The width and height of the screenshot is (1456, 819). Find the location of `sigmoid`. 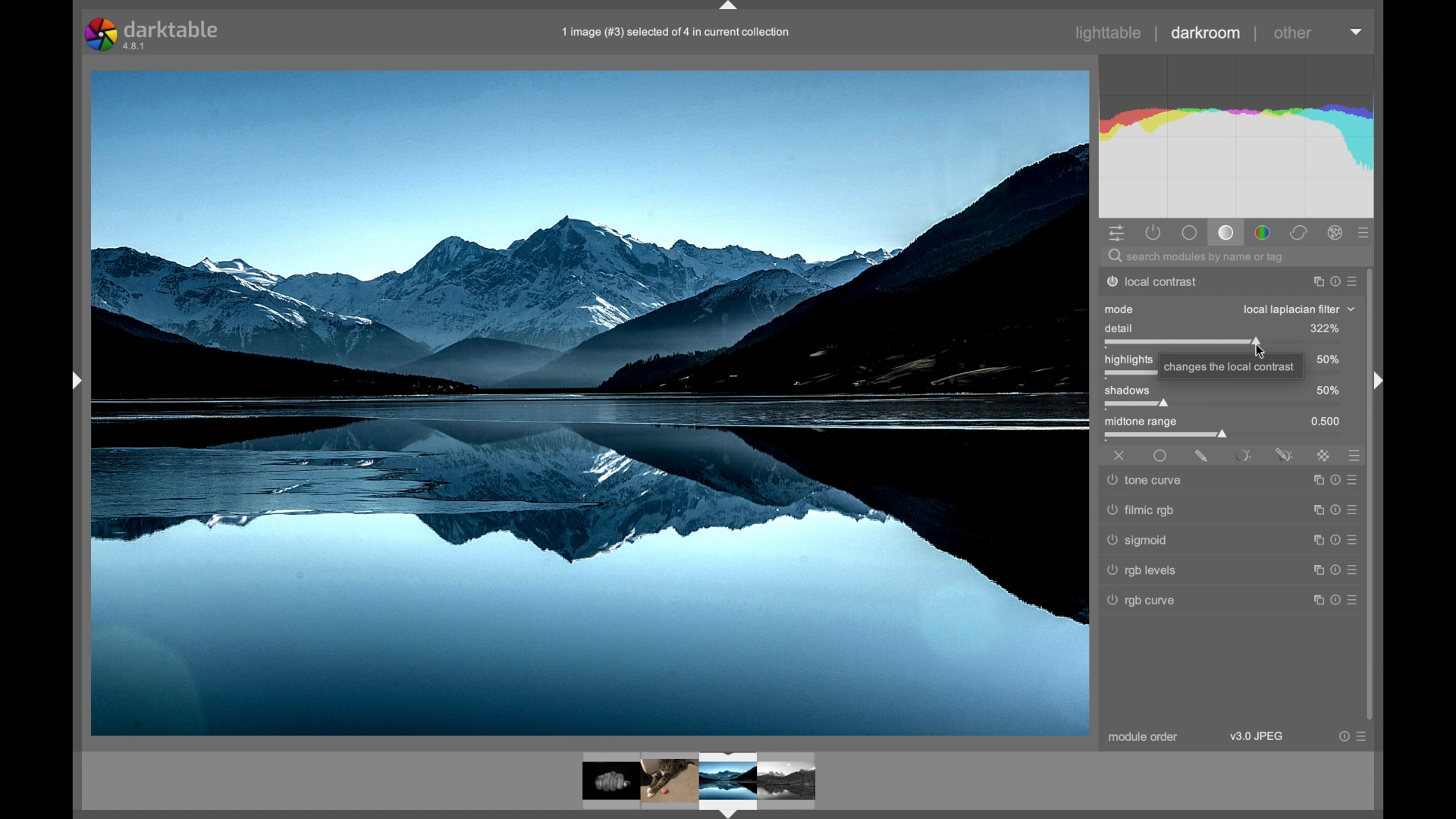

sigmoid is located at coordinates (1137, 539).